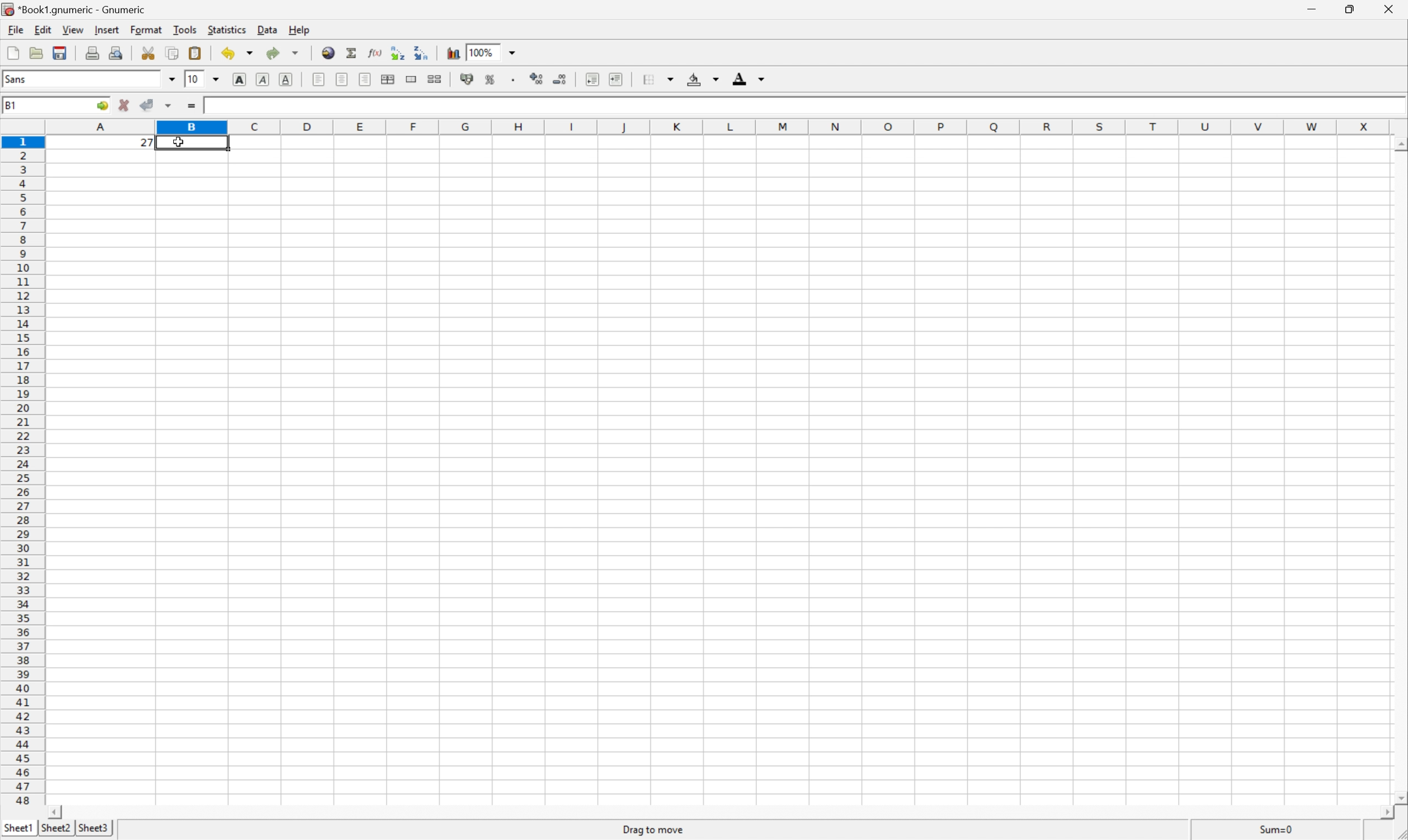 Image resolution: width=1408 pixels, height=840 pixels. Describe the element at coordinates (195, 53) in the screenshot. I see `Paste clipboard` at that location.